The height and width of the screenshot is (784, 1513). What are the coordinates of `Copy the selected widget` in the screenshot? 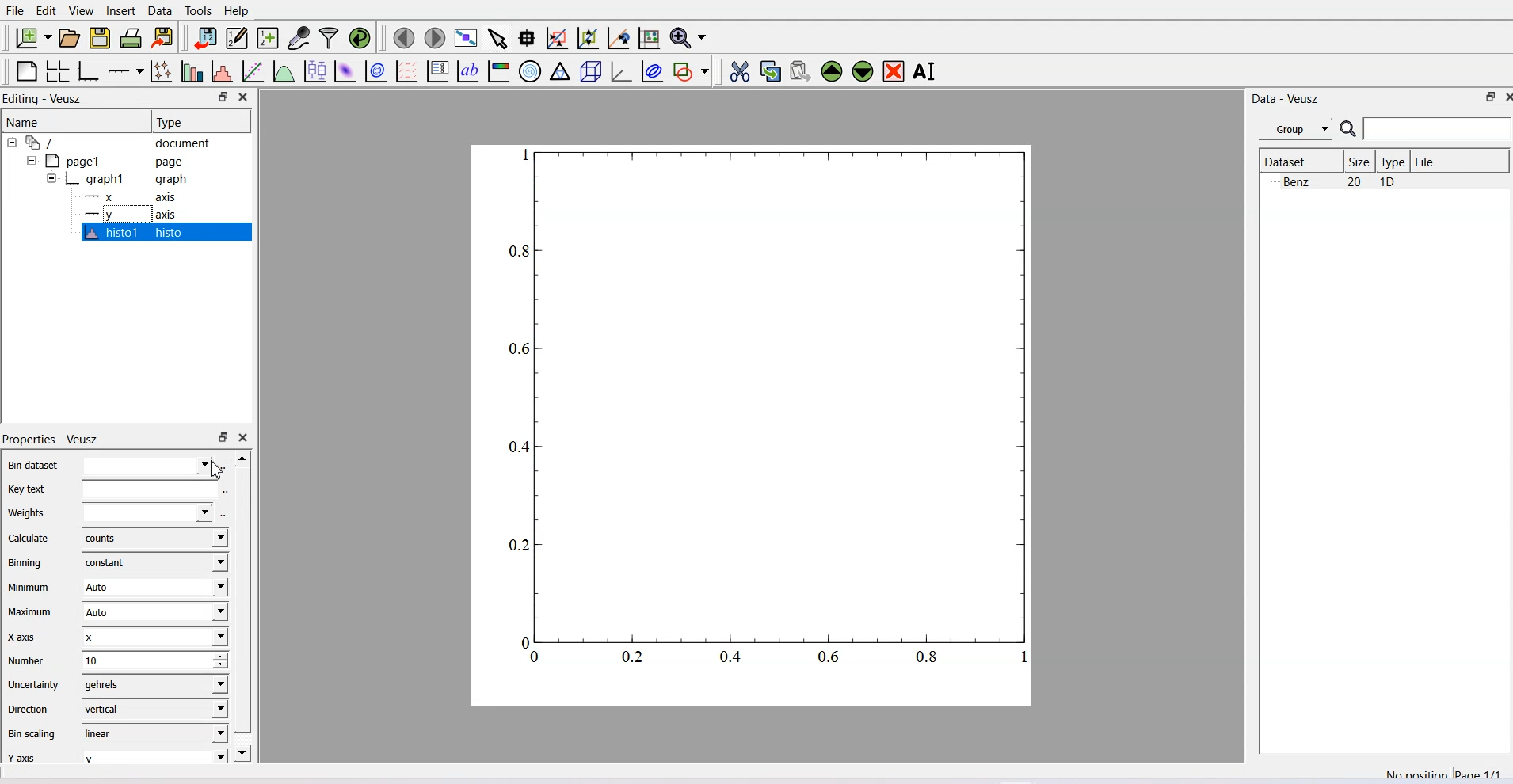 It's located at (771, 71).